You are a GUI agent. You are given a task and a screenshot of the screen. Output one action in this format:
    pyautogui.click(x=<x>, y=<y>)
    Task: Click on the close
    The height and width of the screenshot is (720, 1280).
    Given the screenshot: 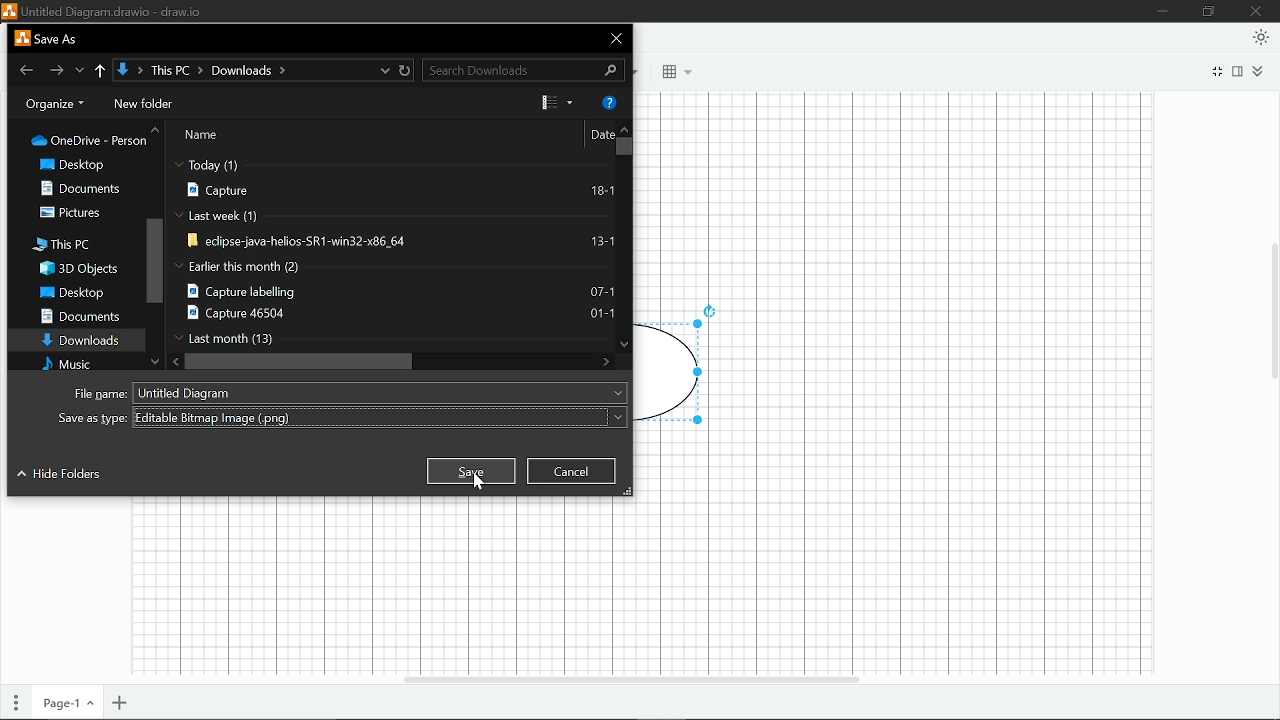 What is the action you would take?
    pyautogui.click(x=618, y=37)
    